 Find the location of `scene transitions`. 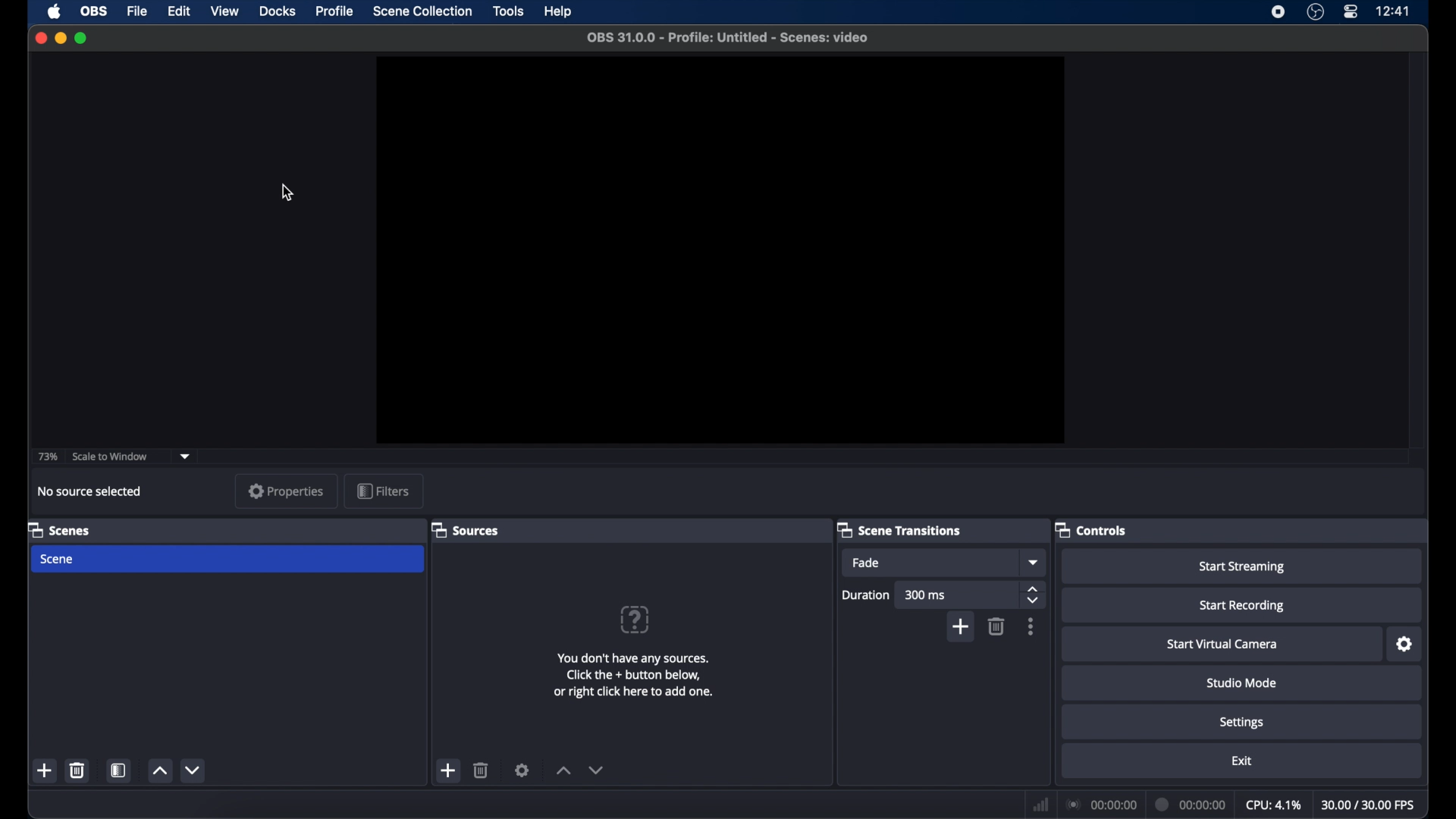

scene transitions is located at coordinates (902, 529).